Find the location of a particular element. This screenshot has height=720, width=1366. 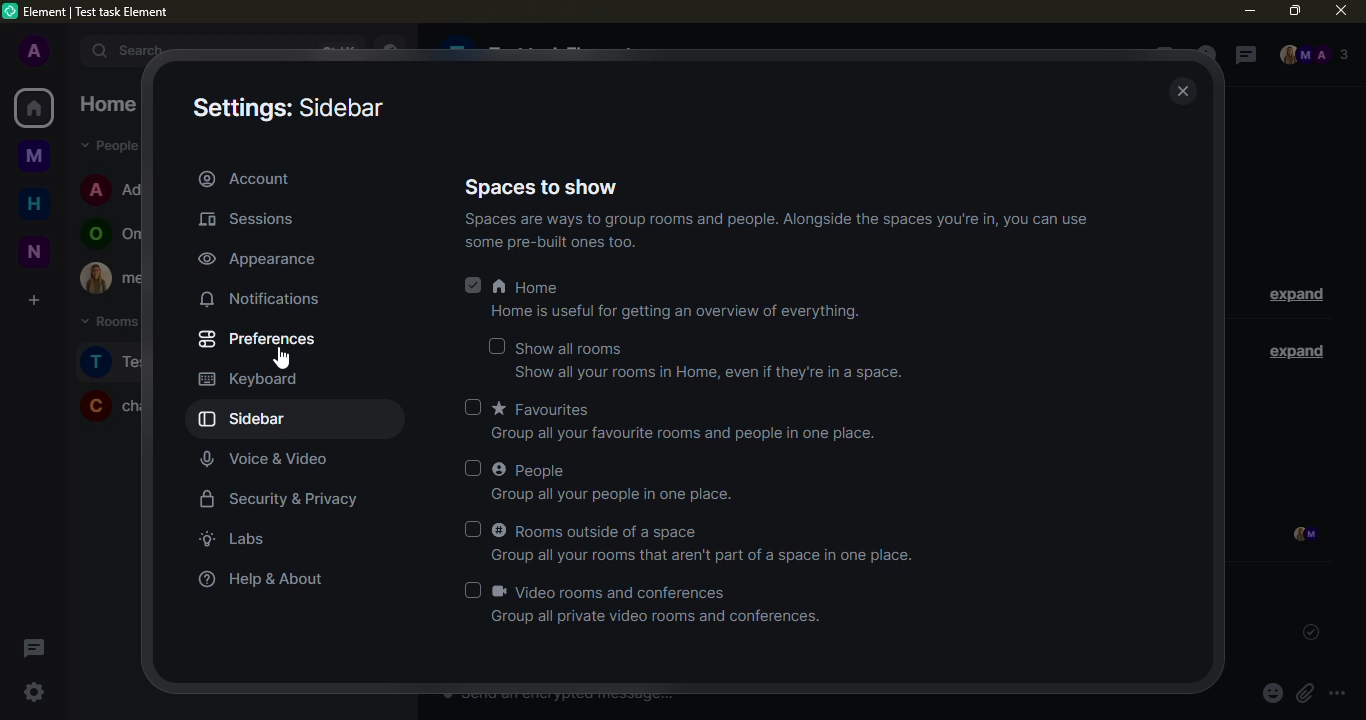

new is located at coordinates (33, 251).